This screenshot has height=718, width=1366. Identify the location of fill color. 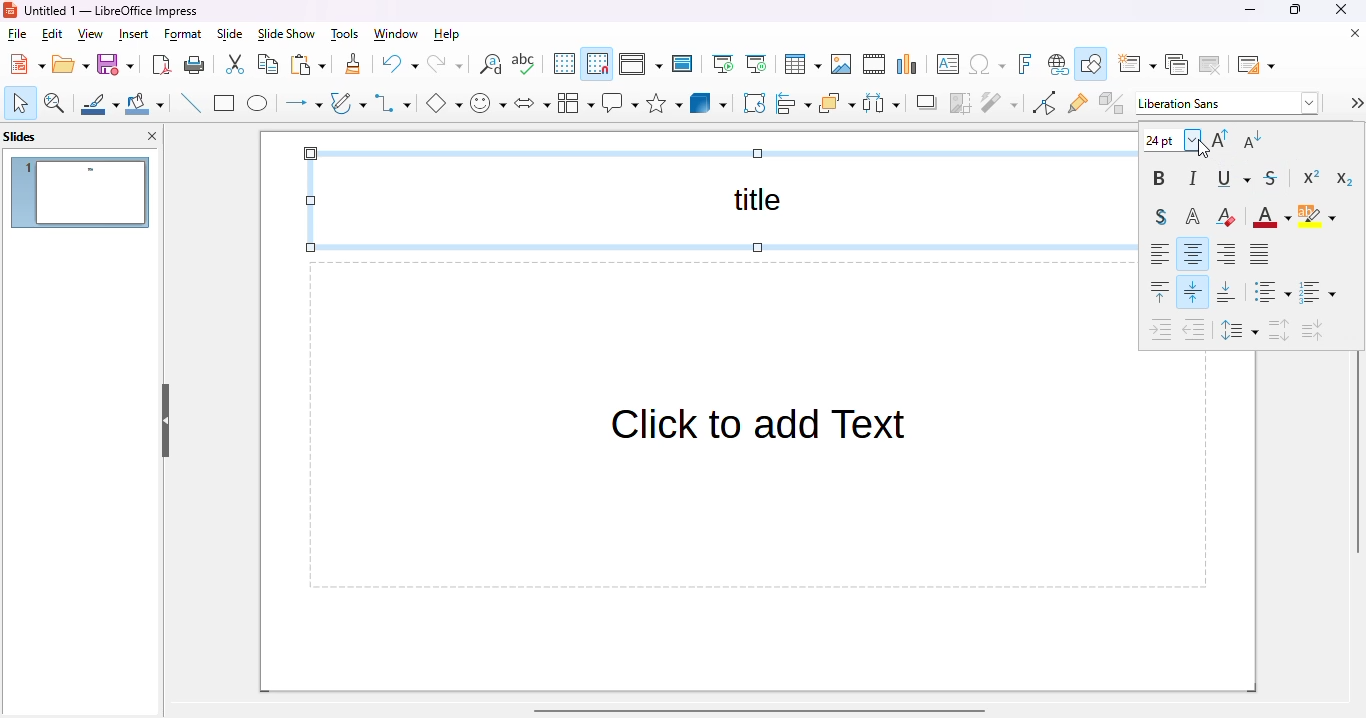
(145, 103).